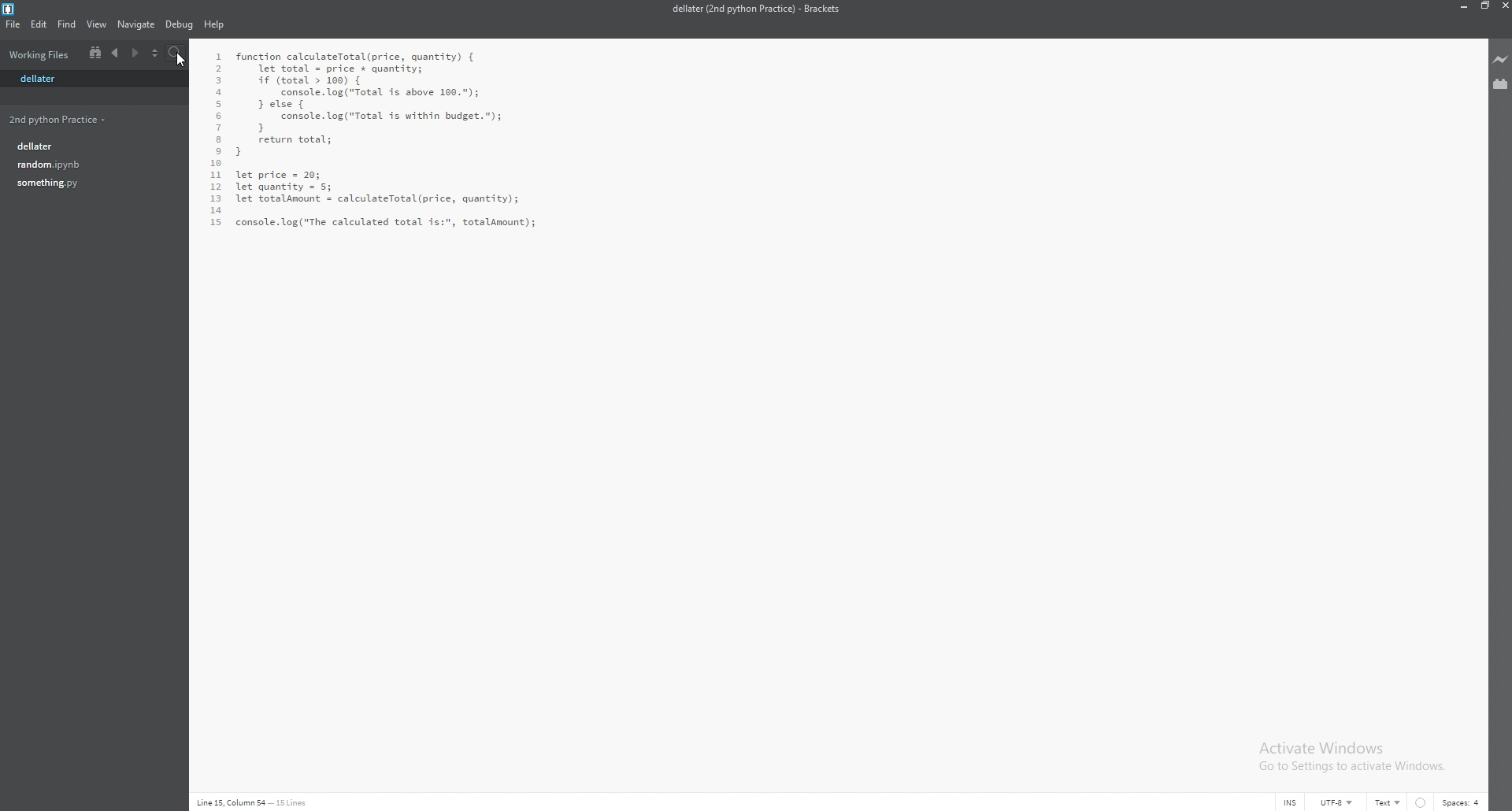 This screenshot has width=1512, height=811. Describe the element at coordinates (87, 120) in the screenshot. I see `2nd python practice` at that location.